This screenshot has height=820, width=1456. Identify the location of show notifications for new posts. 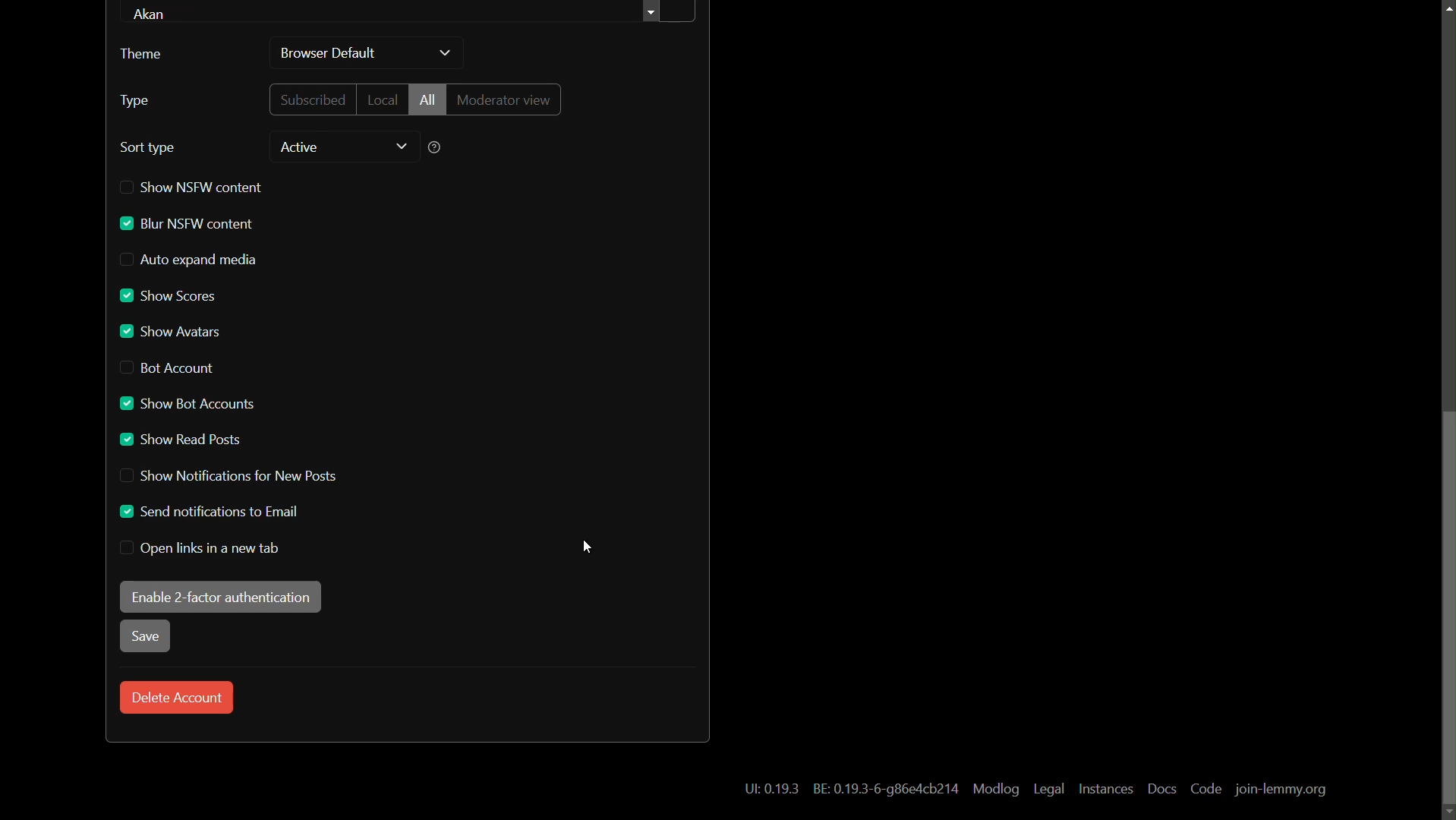
(227, 476).